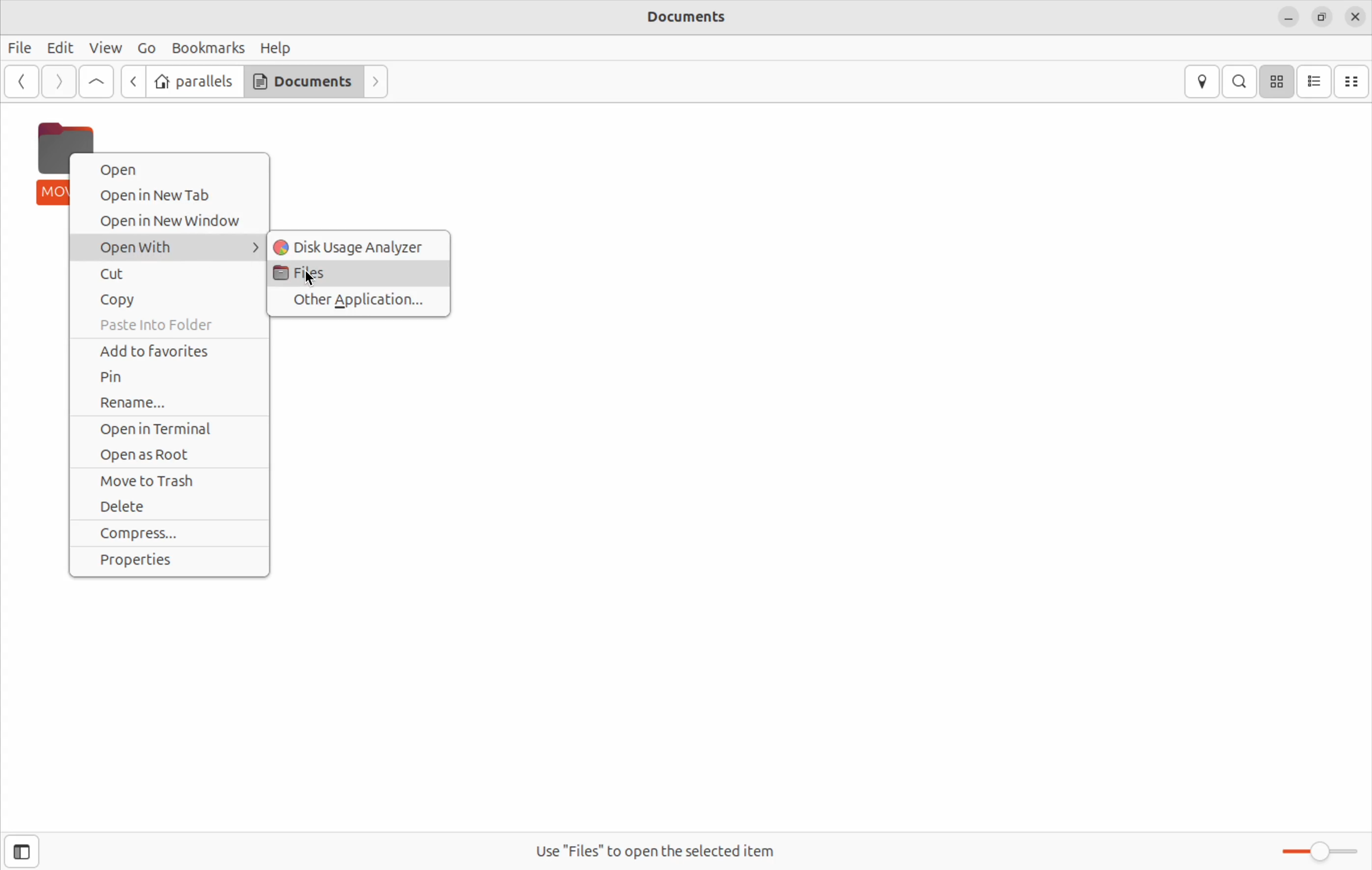 The width and height of the screenshot is (1372, 870). What do you see at coordinates (377, 83) in the screenshot?
I see `forward` at bounding box center [377, 83].